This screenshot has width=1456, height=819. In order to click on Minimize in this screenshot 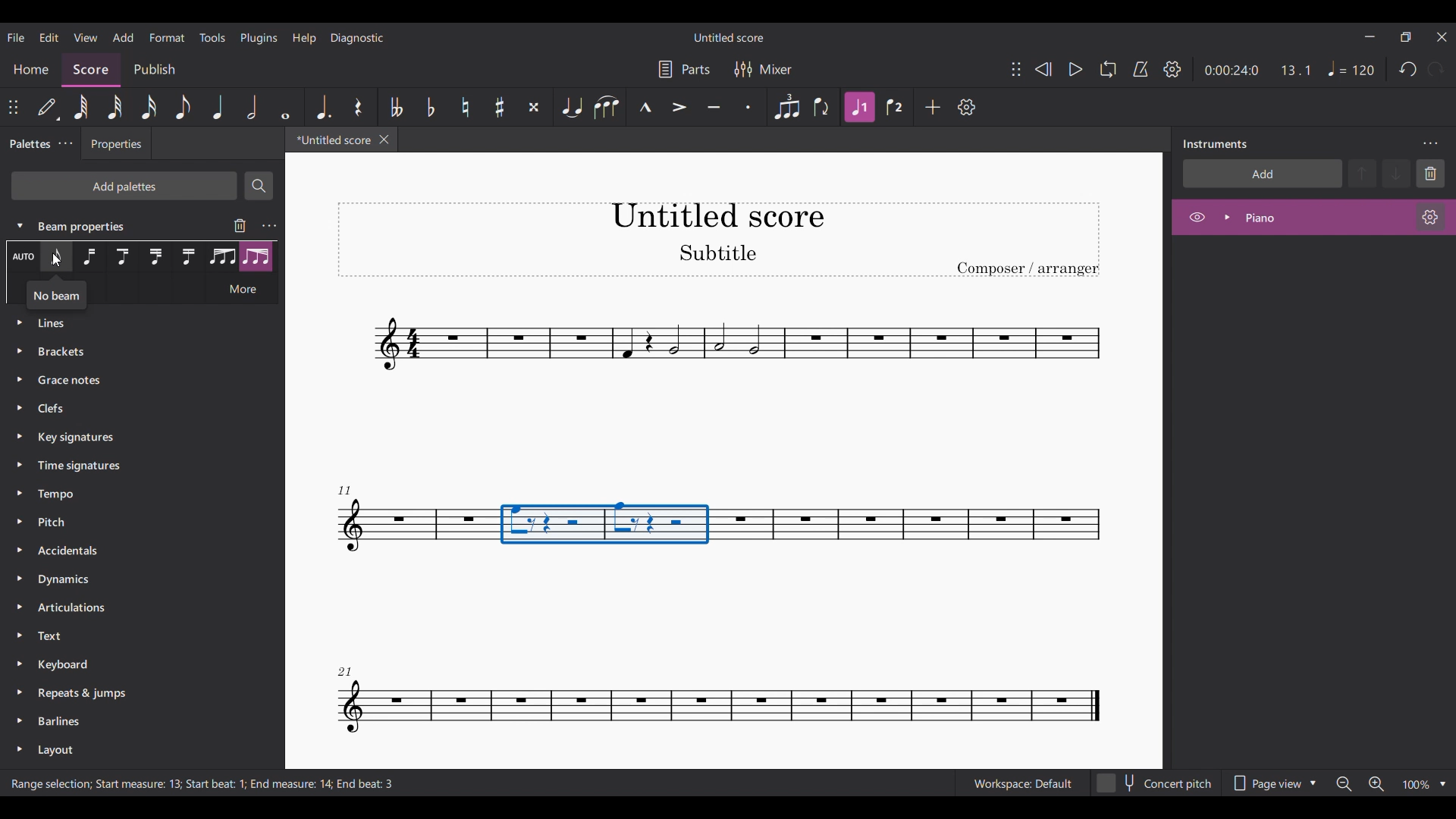, I will do `click(1370, 36)`.